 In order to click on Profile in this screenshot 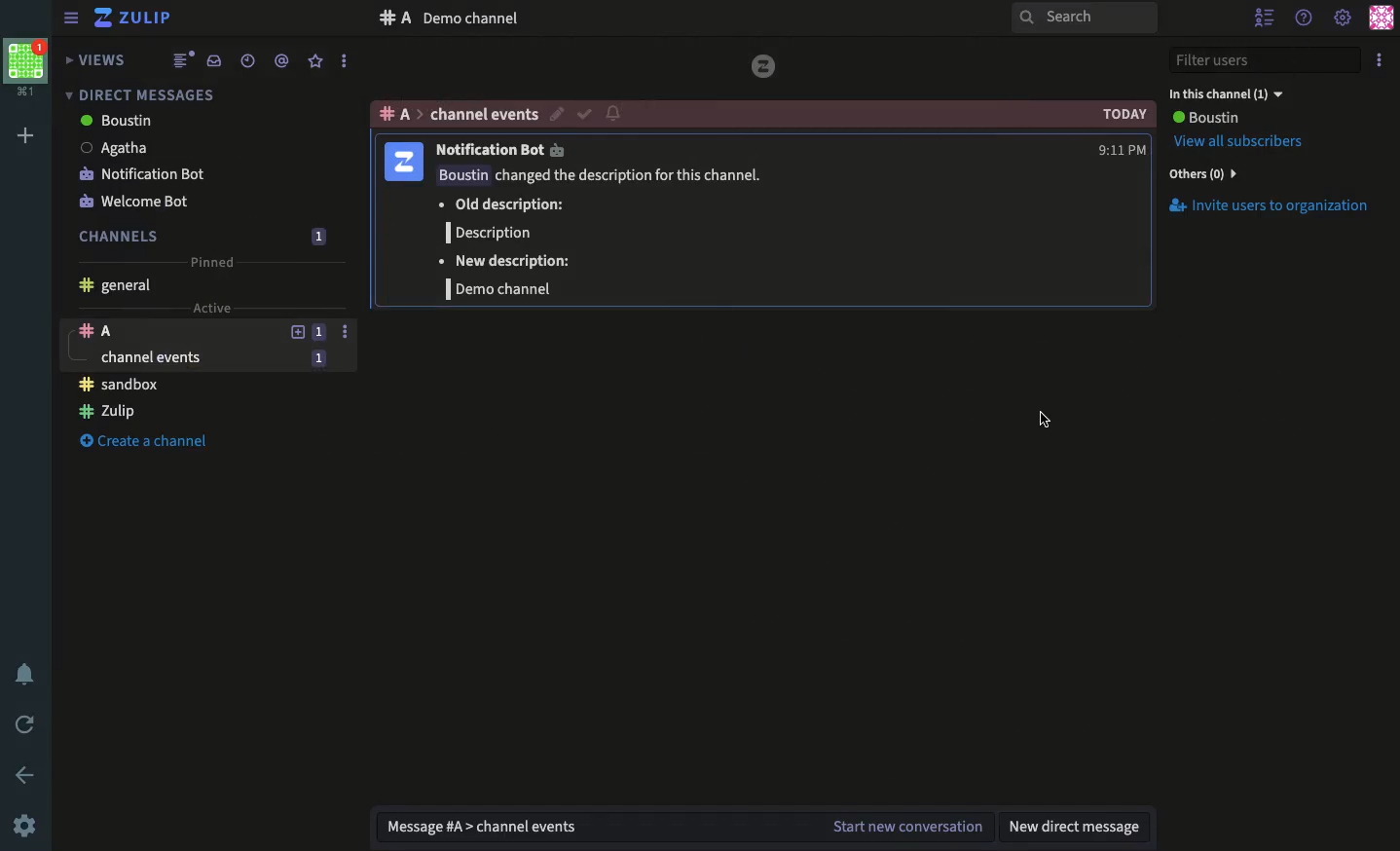, I will do `click(1381, 18)`.